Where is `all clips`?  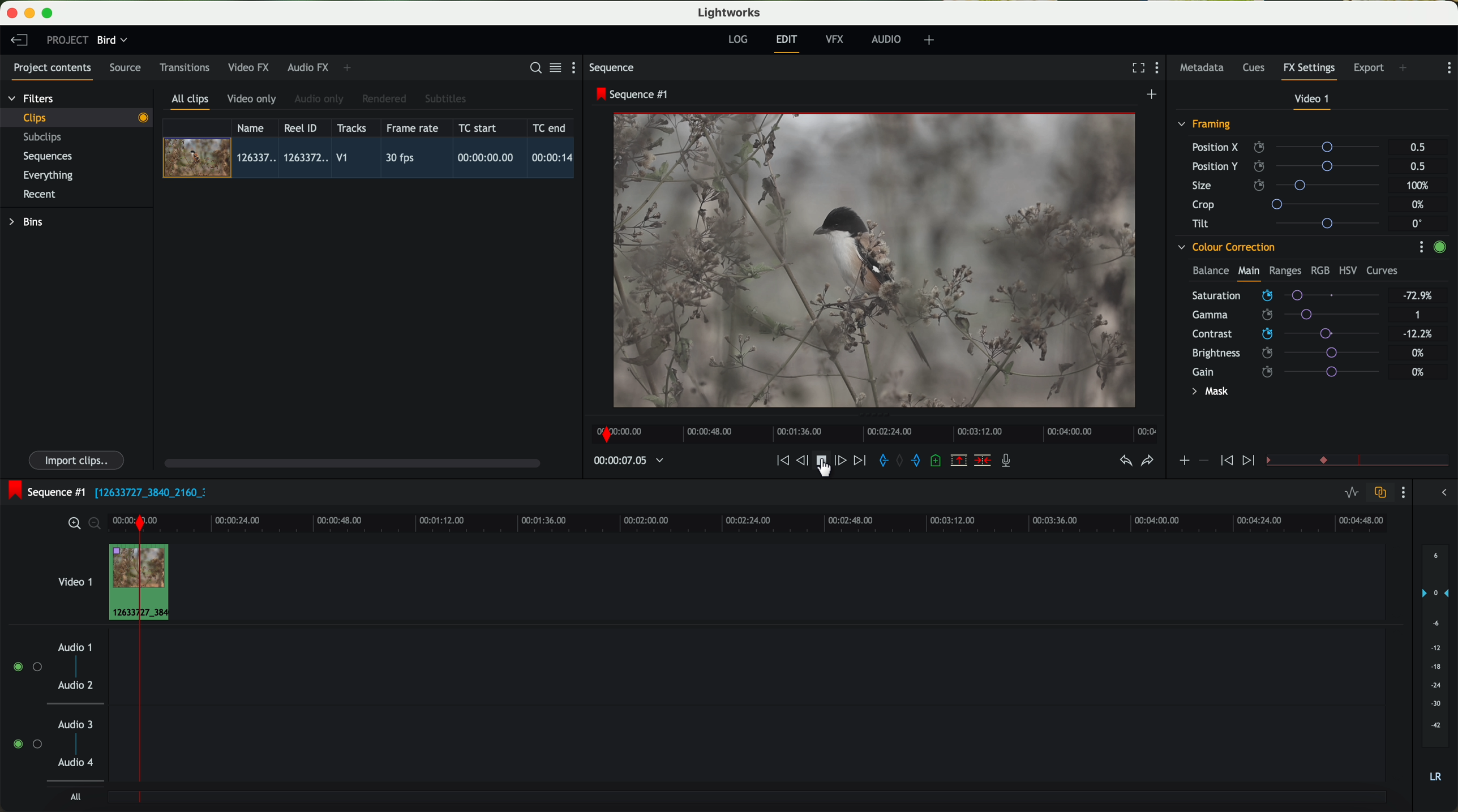
all clips is located at coordinates (191, 102).